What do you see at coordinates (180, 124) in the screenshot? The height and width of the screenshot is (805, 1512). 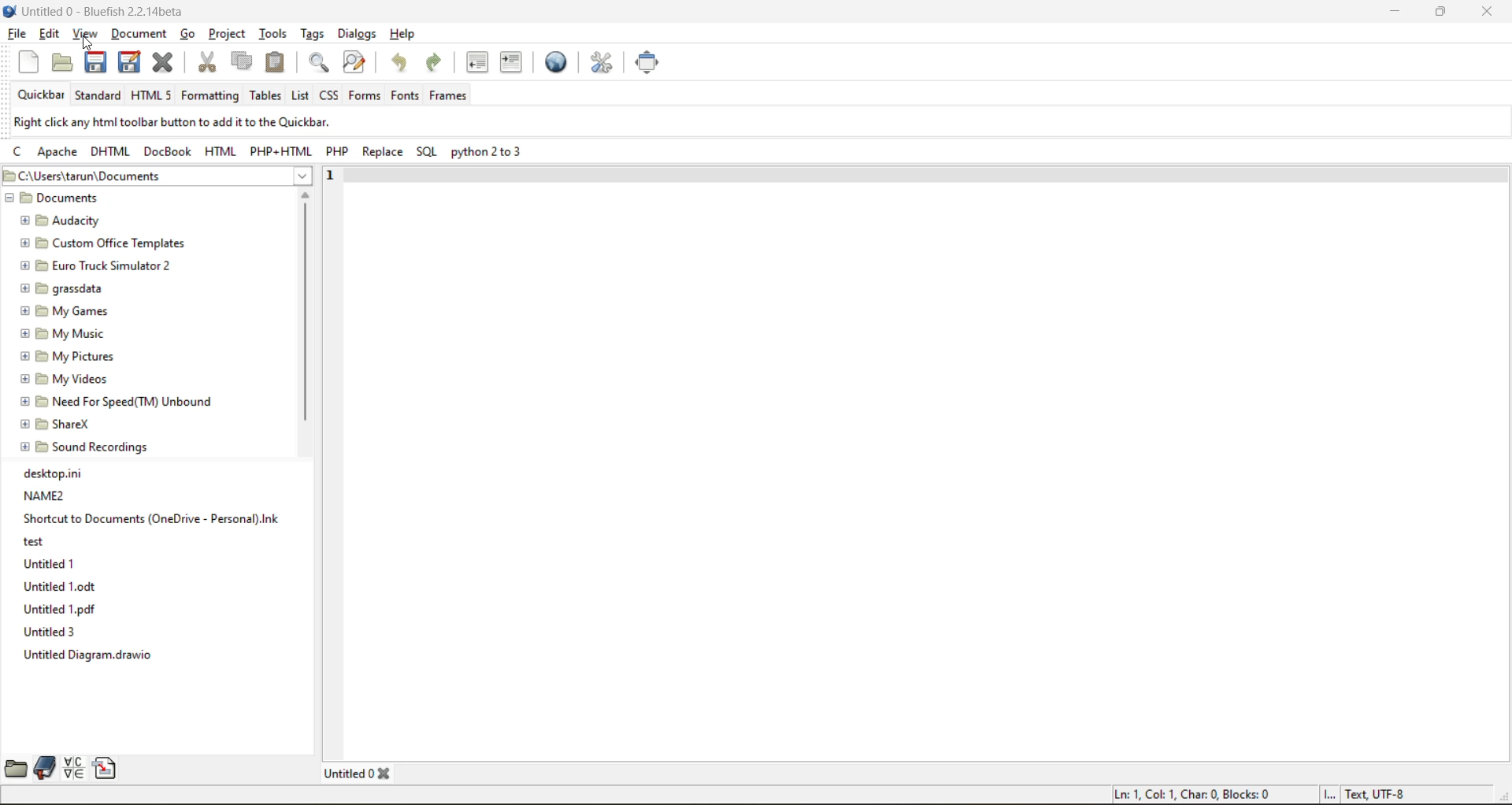 I see `metadata` at bounding box center [180, 124].